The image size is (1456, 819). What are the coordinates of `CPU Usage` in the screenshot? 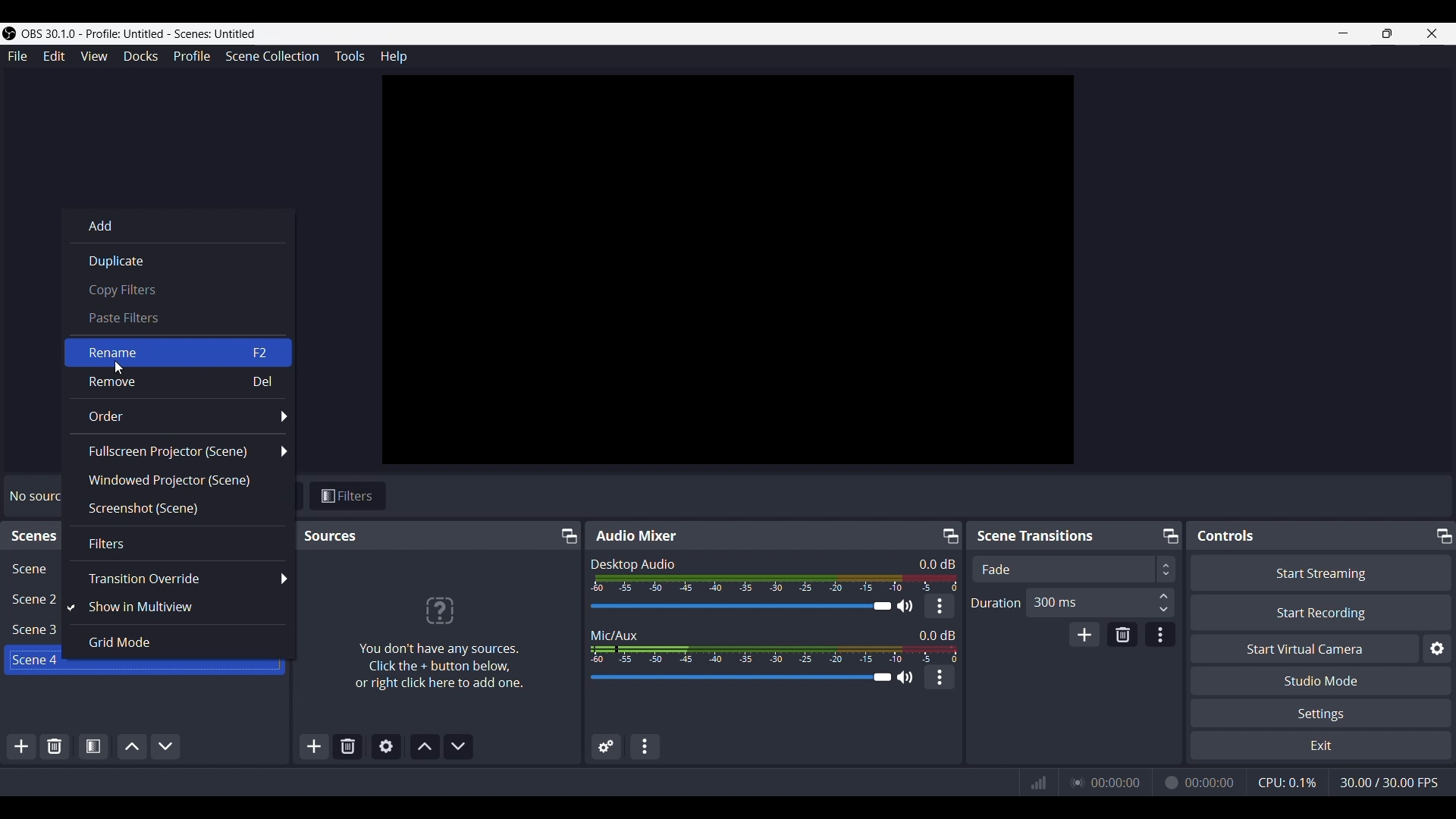 It's located at (1288, 782).